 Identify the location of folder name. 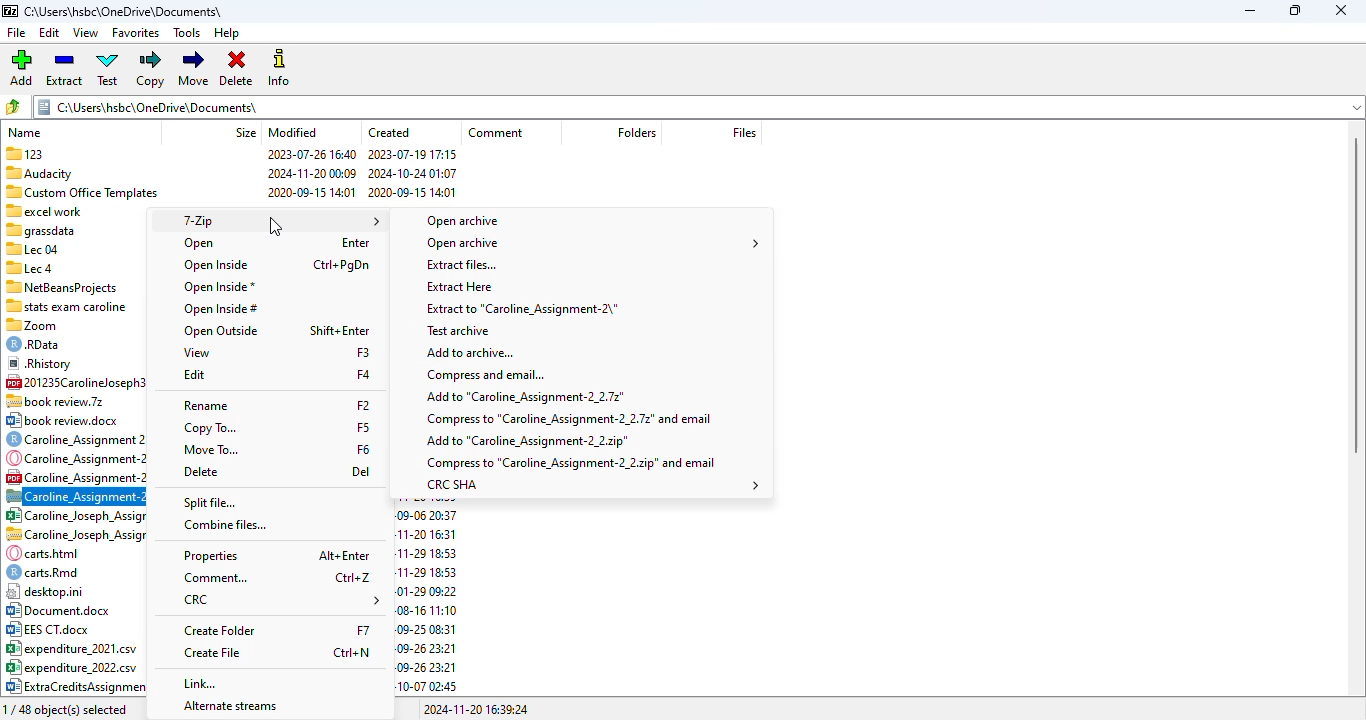
(123, 11).